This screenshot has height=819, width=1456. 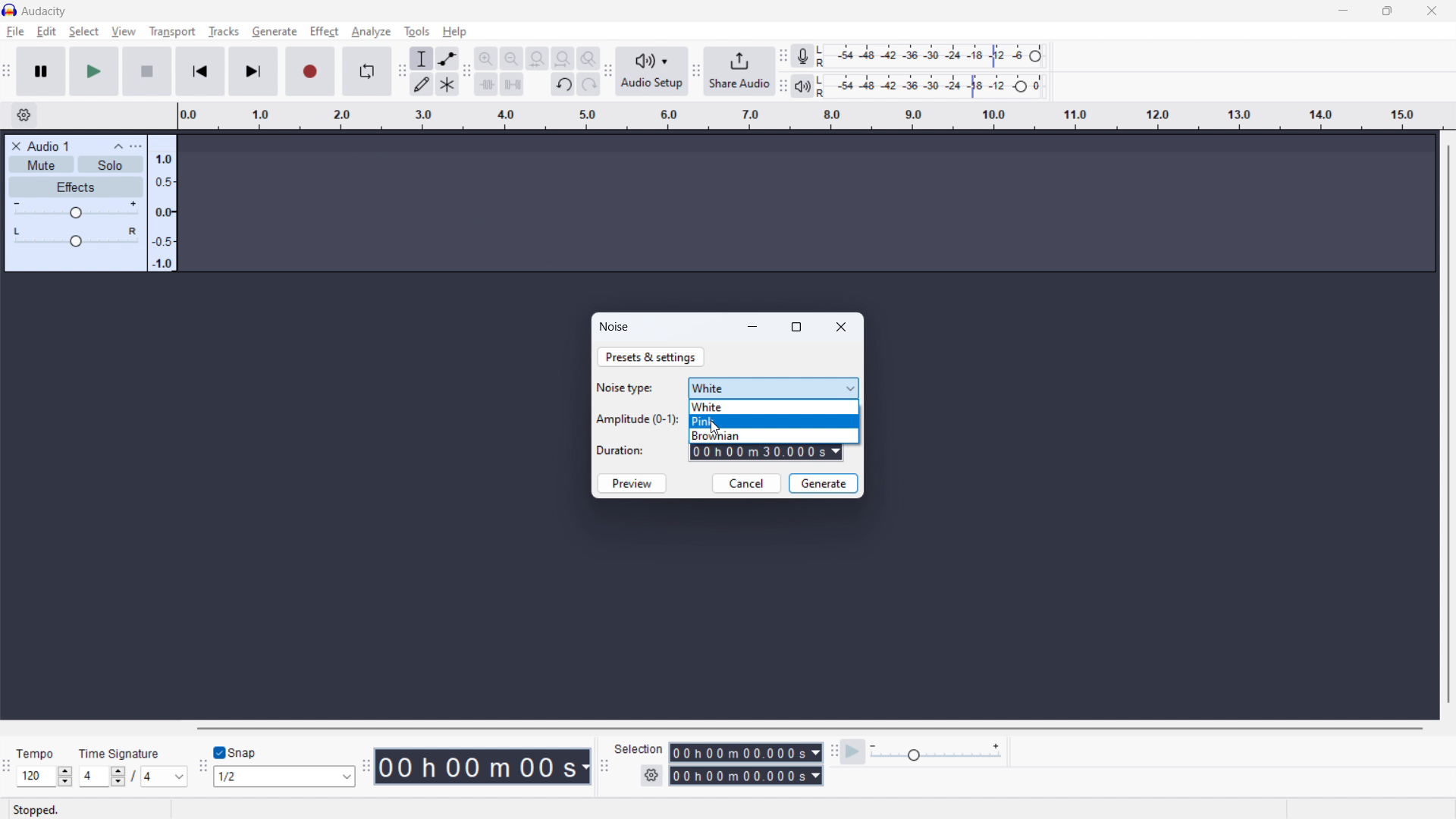 What do you see at coordinates (652, 72) in the screenshot?
I see `audio setup` at bounding box center [652, 72].